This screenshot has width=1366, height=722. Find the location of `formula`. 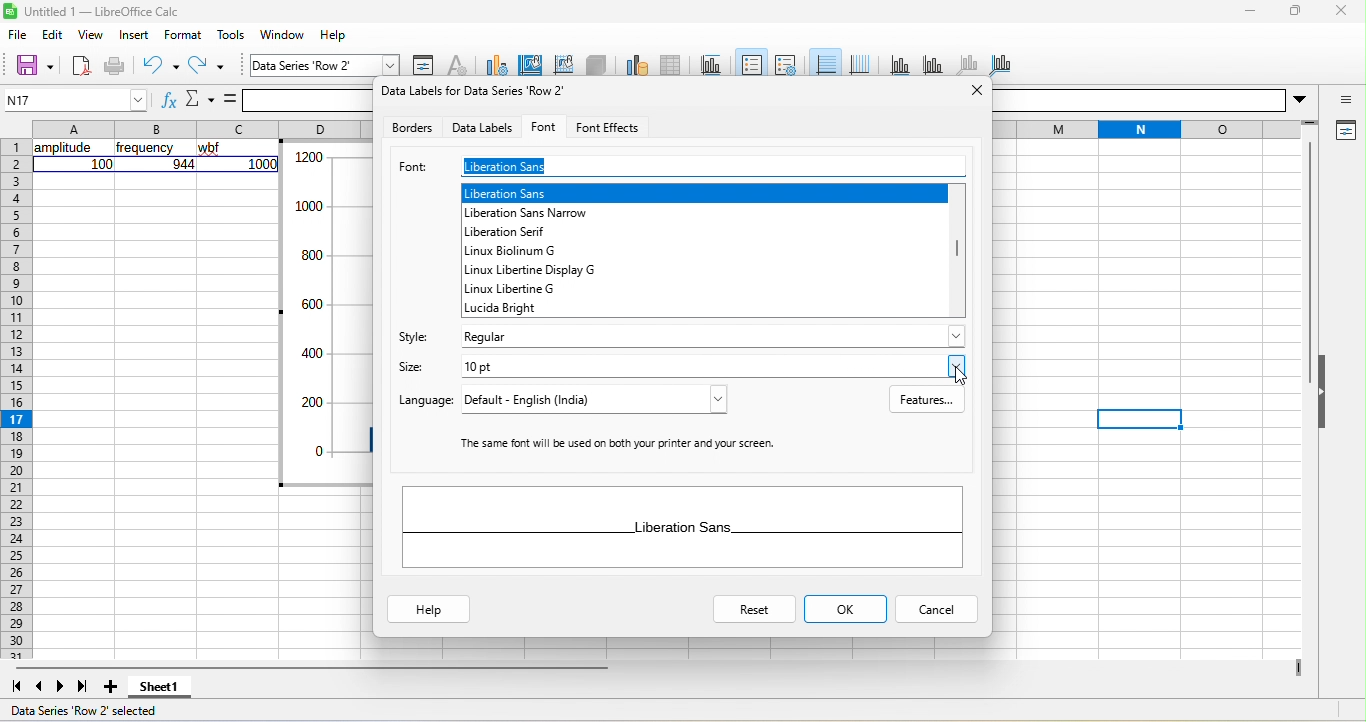

formula is located at coordinates (227, 101).